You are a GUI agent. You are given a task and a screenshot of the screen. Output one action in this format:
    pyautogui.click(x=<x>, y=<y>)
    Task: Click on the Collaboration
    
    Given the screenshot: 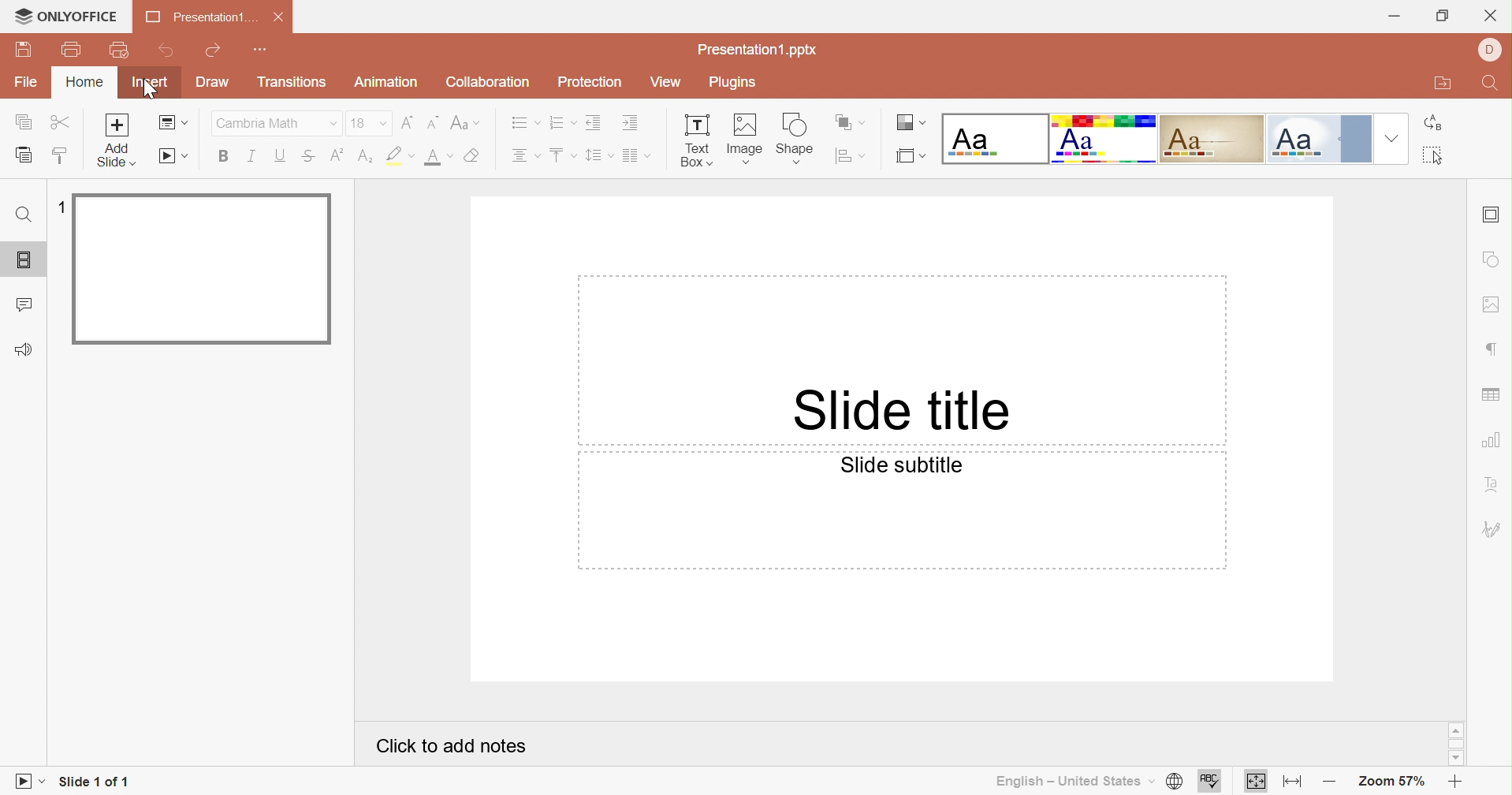 What is the action you would take?
    pyautogui.click(x=488, y=82)
    